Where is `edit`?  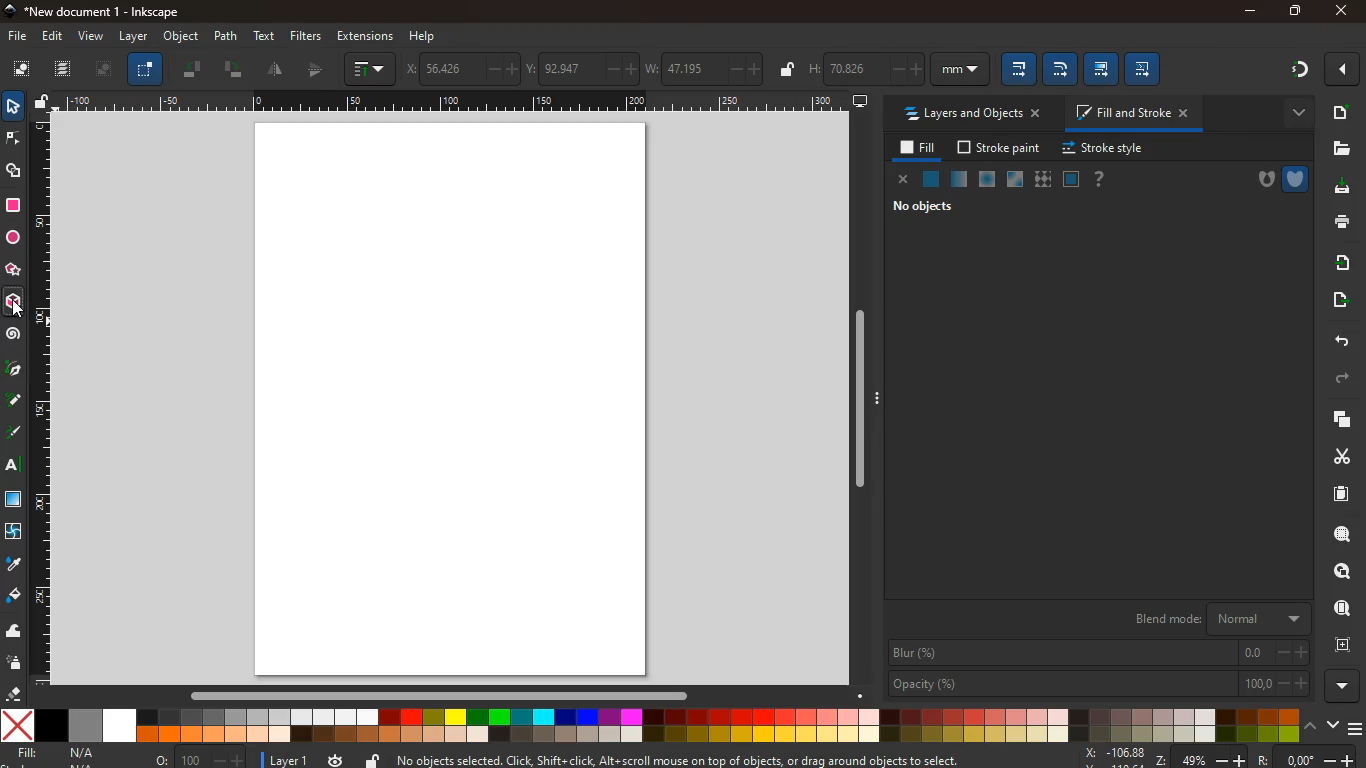 edit is located at coordinates (1060, 70).